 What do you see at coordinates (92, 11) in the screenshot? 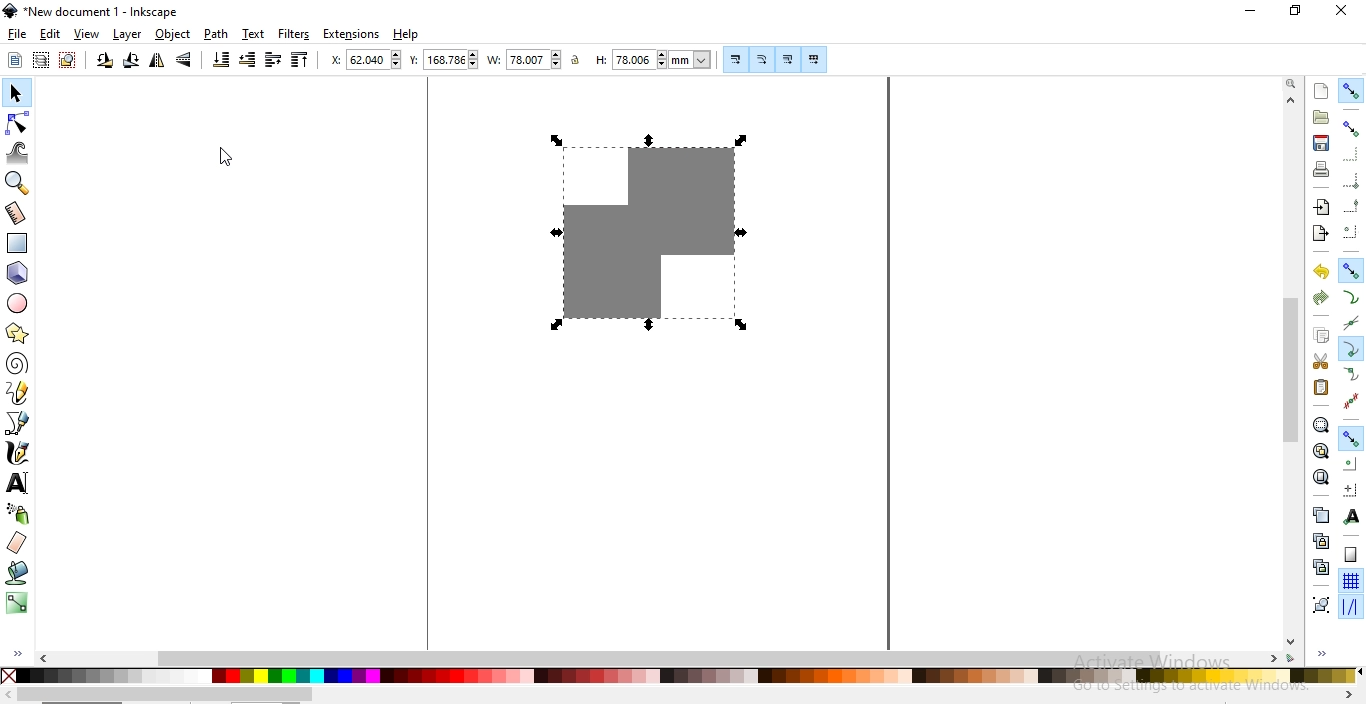
I see `new document 1 - Inkscape` at bounding box center [92, 11].